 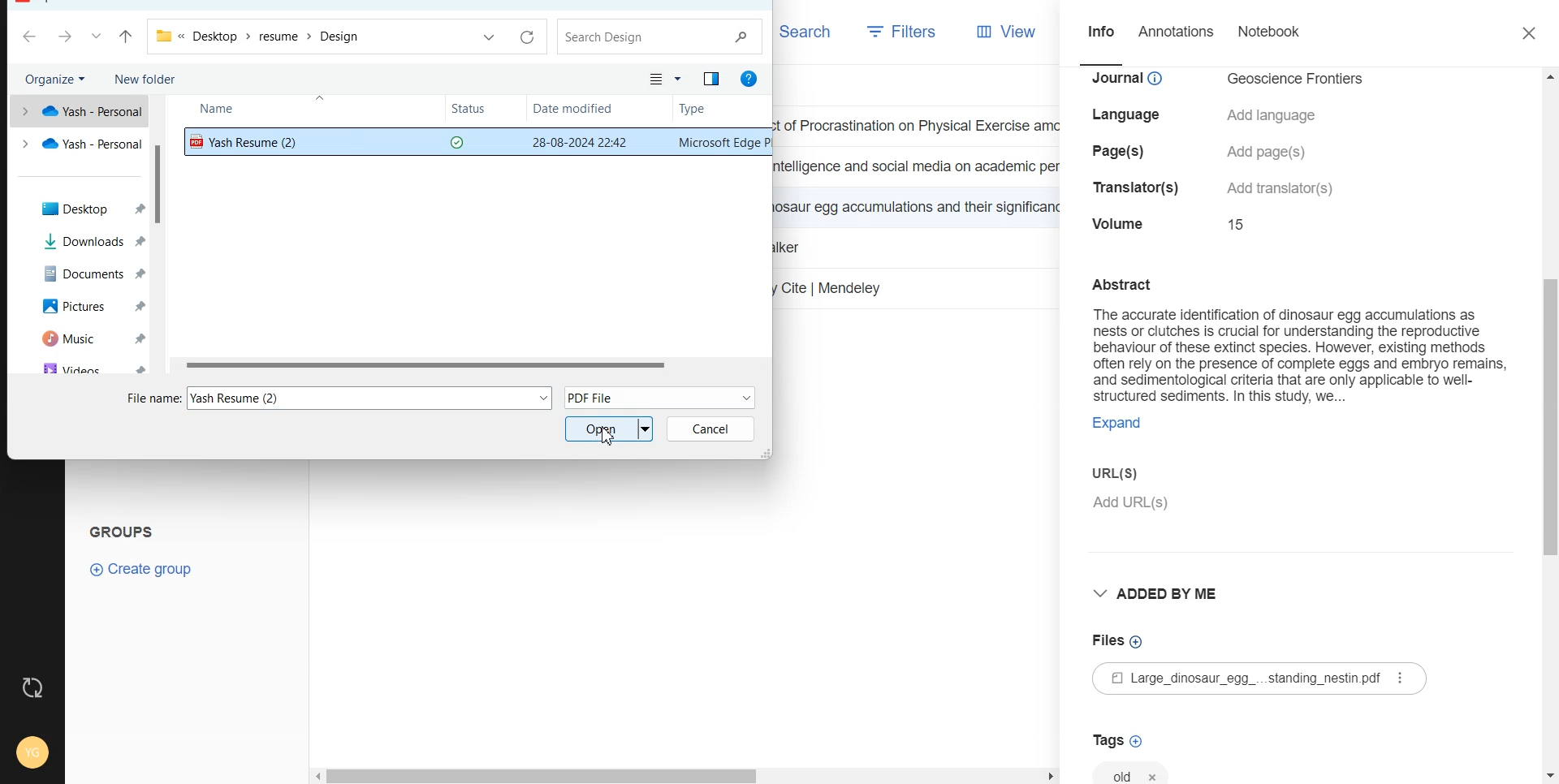 What do you see at coordinates (57, 79) in the screenshot?
I see `Organize` at bounding box center [57, 79].